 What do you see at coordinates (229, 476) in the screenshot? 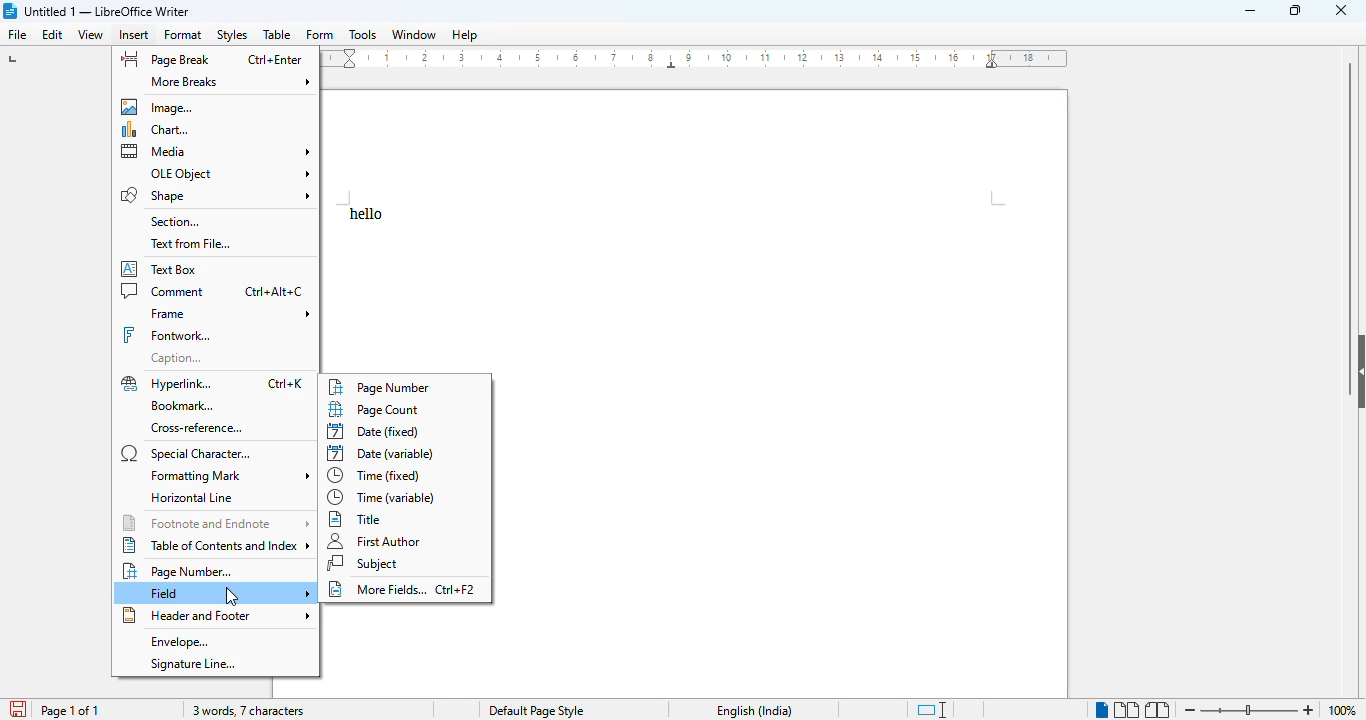
I see `formatting mark` at bounding box center [229, 476].